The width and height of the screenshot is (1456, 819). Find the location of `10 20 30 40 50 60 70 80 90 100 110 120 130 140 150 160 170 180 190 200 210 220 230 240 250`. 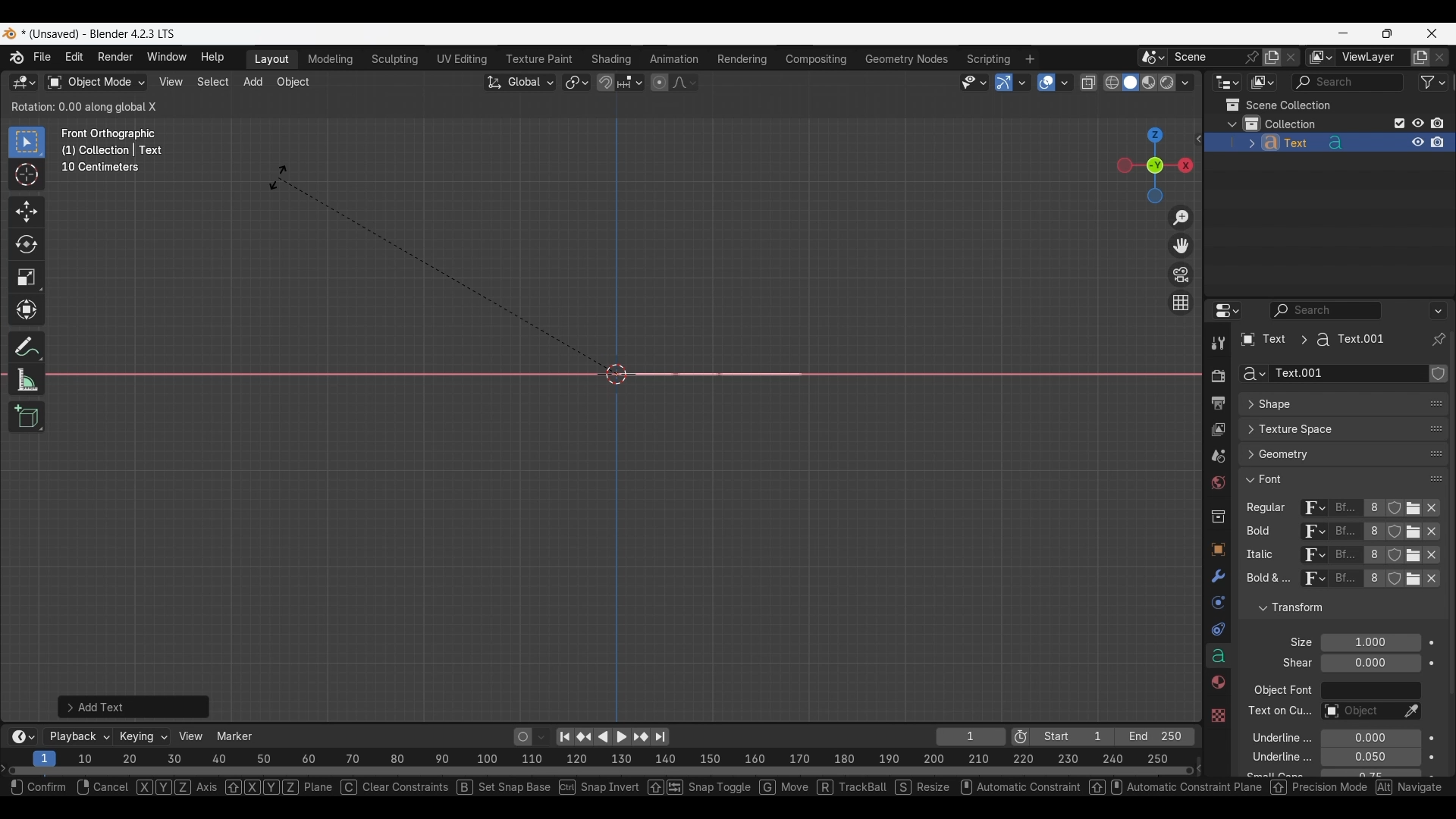

10 20 30 40 50 60 70 80 90 100 110 120 130 140 150 160 170 180 190 200 210 220 230 240 250 is located at coordinates (627, 757).